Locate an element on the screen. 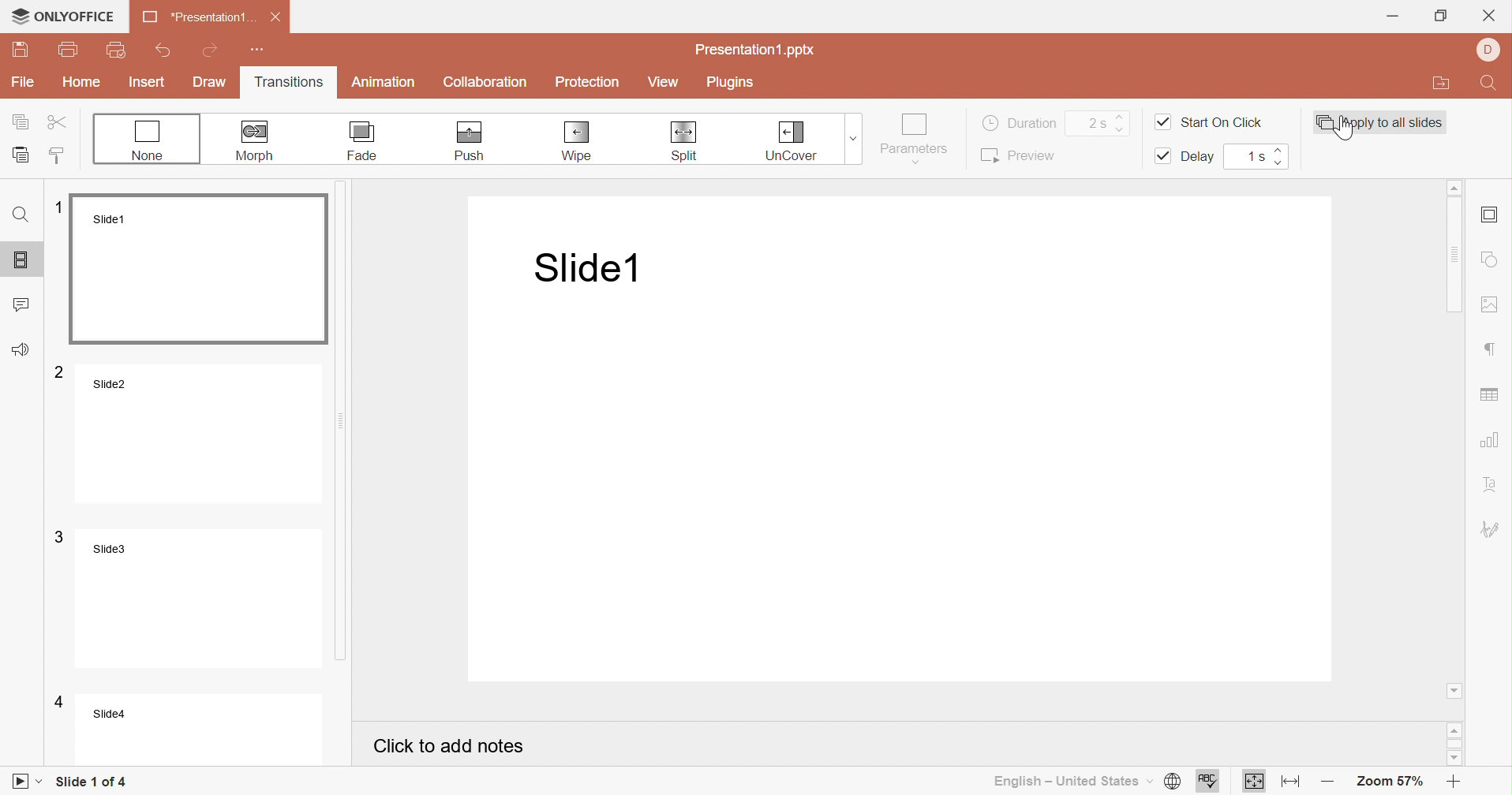  Feedback & Support is located at coordinates (21, 349).